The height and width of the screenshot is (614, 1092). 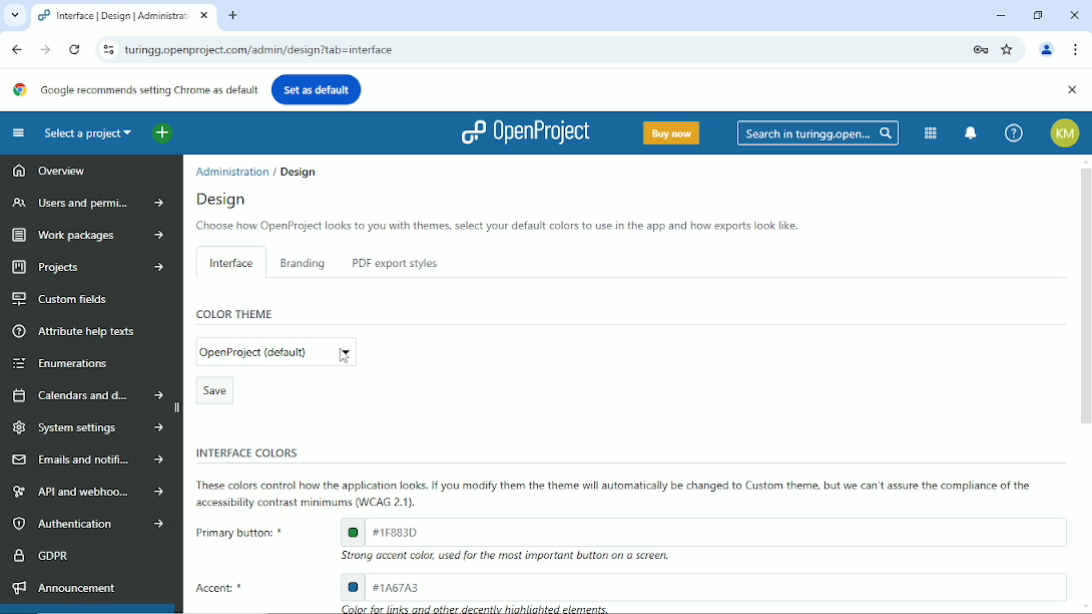 What do you see at coordinates (84, 492) in the screenshot?
I see `API and webhooks` at bounding box center [84, 492].